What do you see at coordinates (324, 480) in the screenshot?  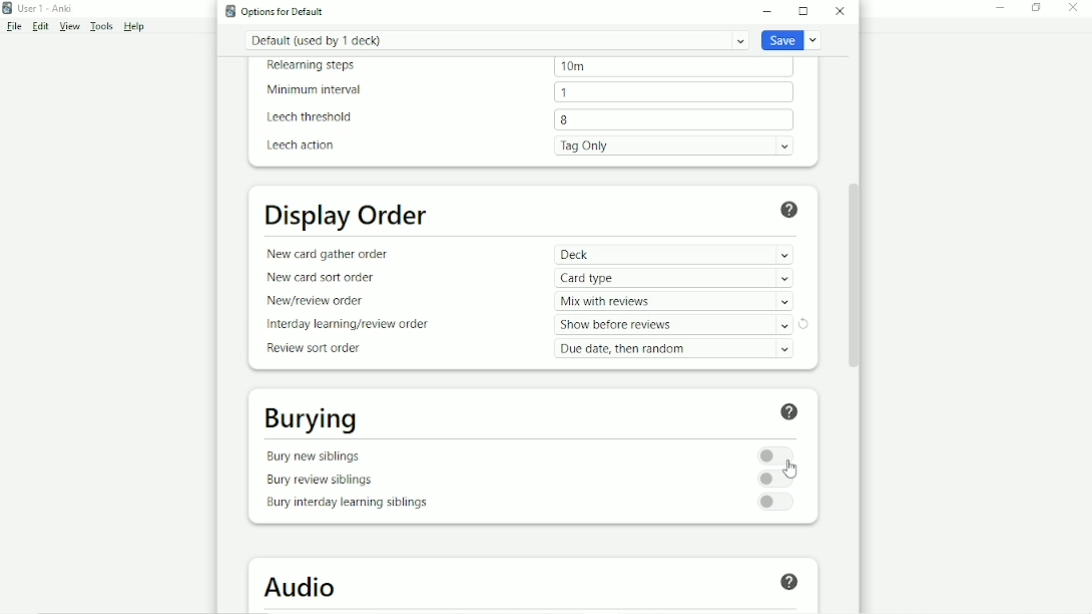 I see `Bury review siblings` at bounding box center [324, 480].